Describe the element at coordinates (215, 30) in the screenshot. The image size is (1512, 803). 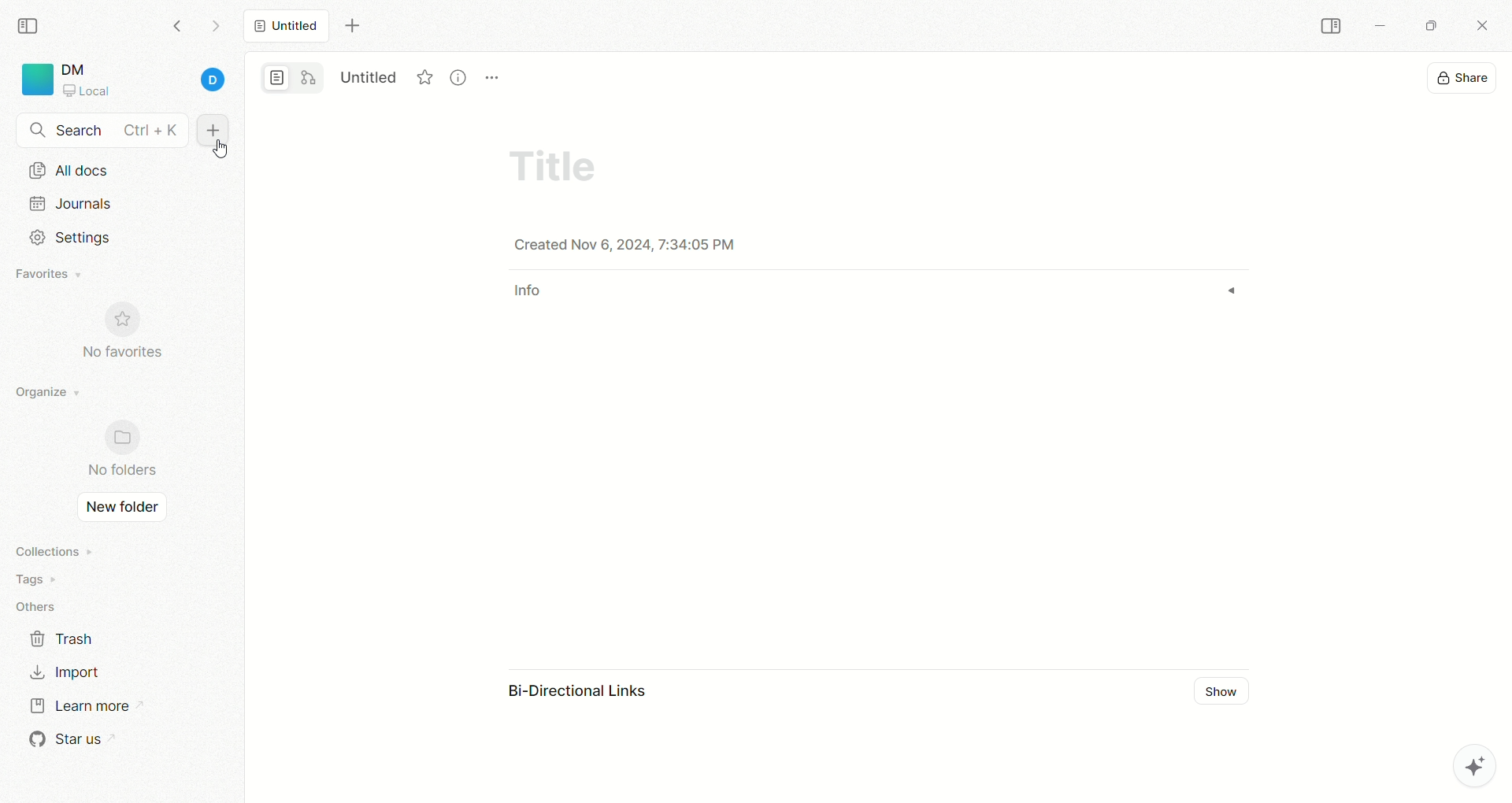
I see `go forward` at that location.